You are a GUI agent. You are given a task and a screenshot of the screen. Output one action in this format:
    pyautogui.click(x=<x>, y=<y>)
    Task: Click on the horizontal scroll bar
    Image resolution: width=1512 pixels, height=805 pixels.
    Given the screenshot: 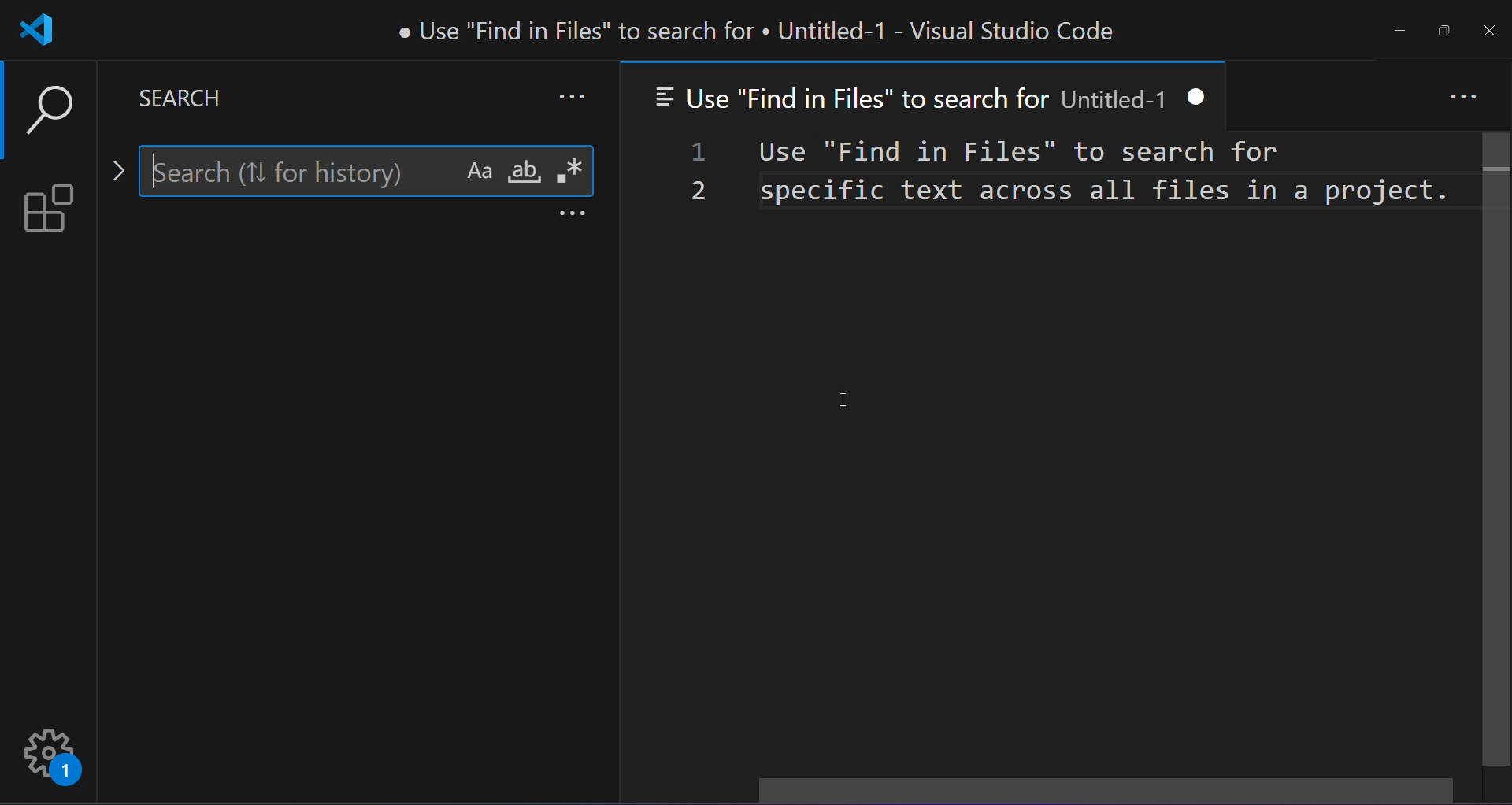 What is the action you would take?
    pyautogui.click(x=1101, y=792)
    